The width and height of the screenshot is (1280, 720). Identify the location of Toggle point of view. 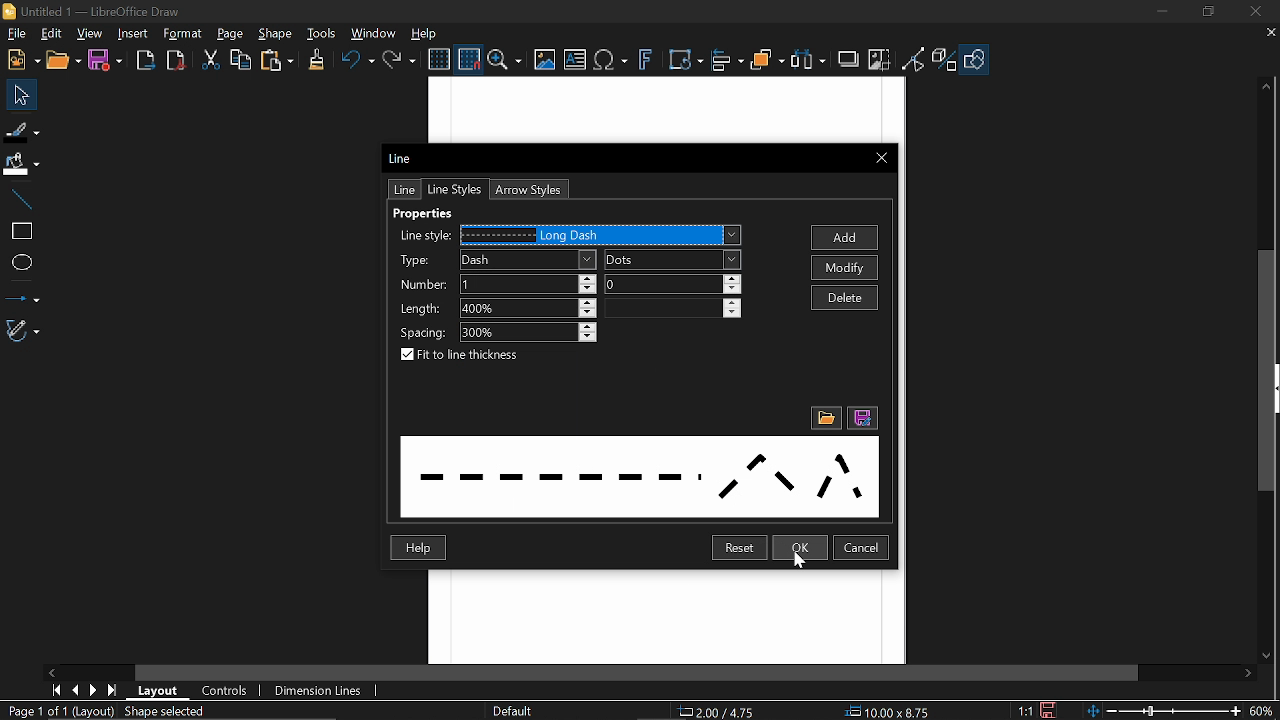
(914, 60).